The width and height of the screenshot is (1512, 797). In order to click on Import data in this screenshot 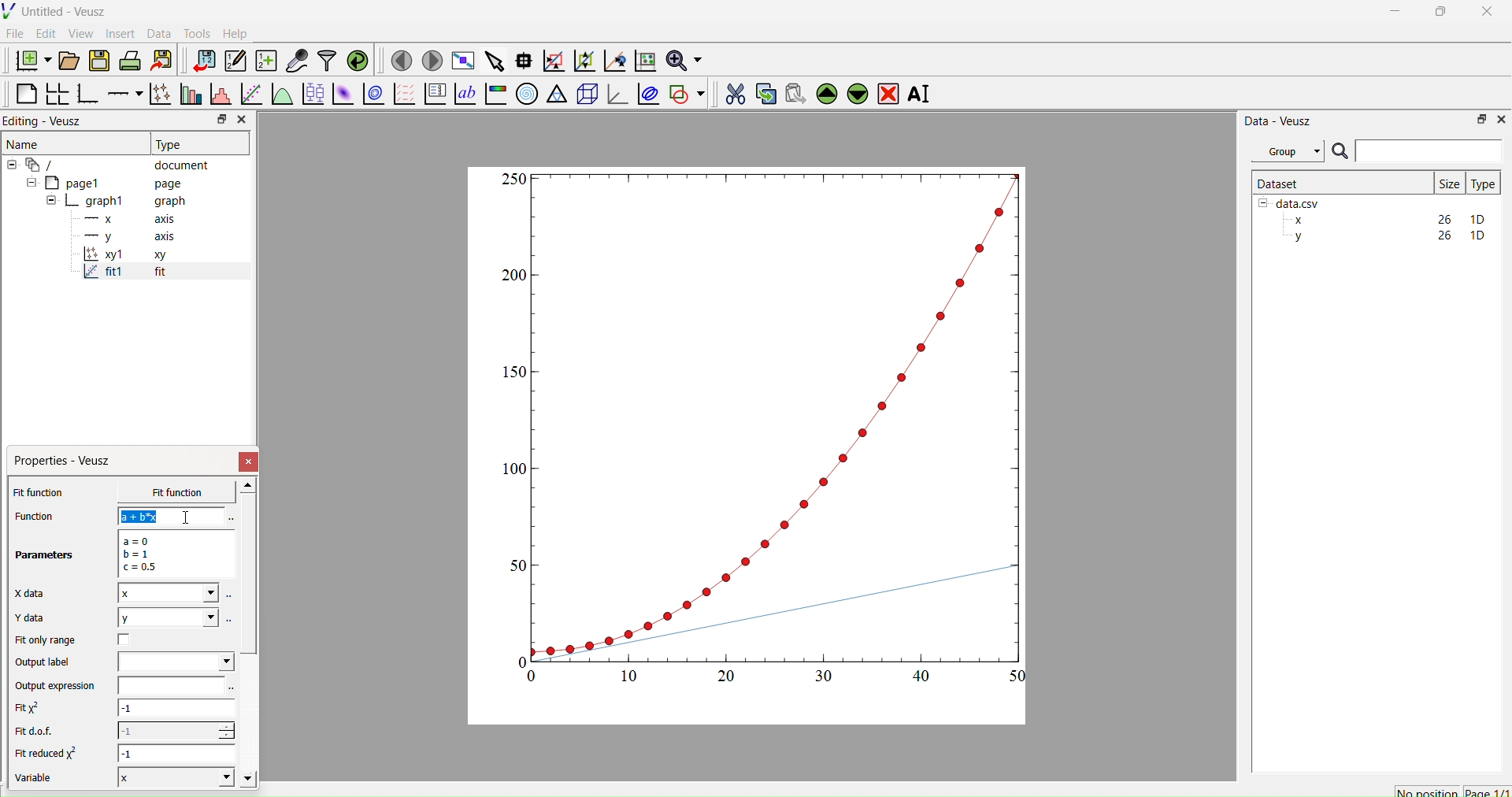, I will do `click(200, 61)`.